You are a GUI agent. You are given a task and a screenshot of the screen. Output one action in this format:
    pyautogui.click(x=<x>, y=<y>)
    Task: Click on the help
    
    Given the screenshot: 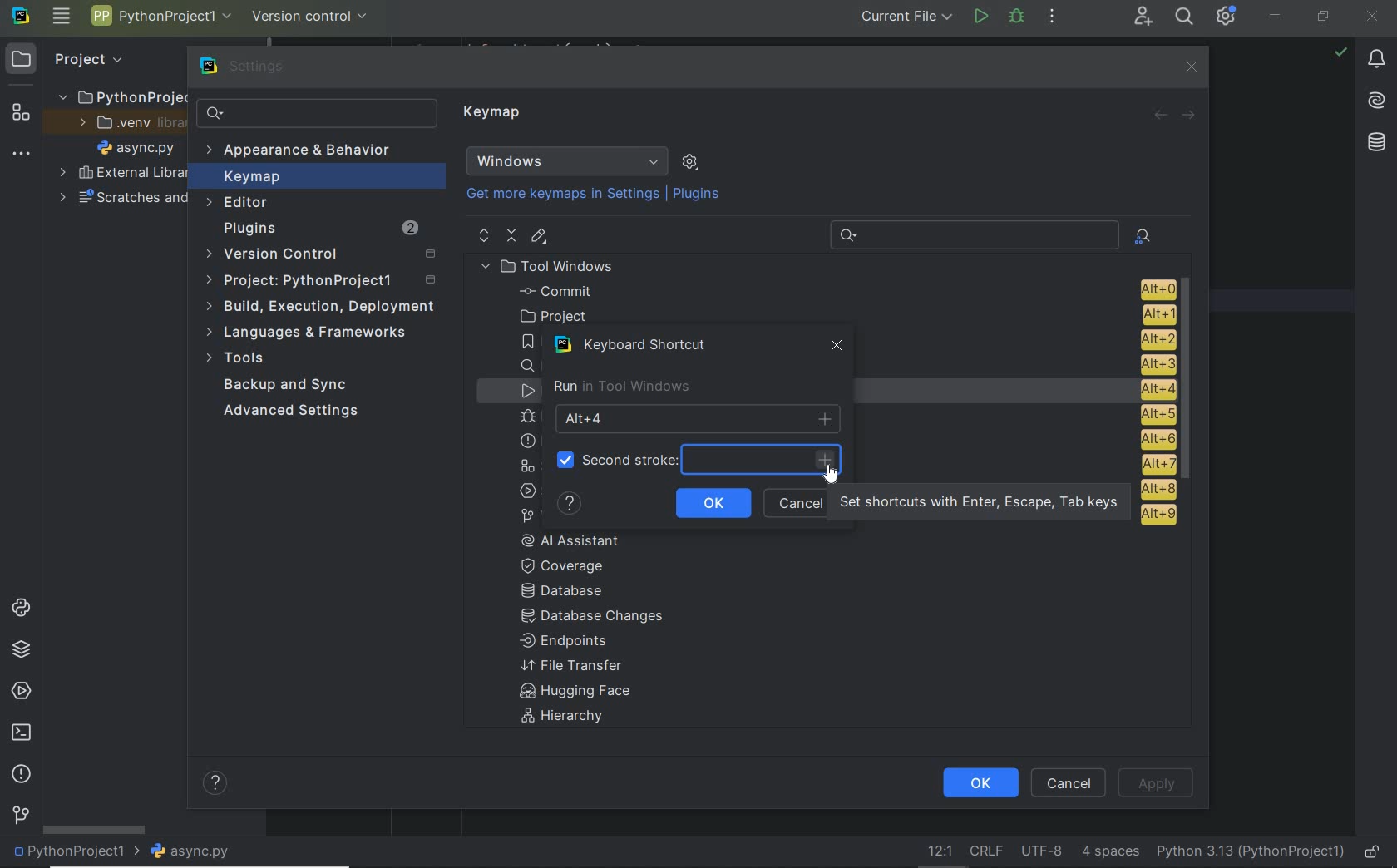 What is the action you would take?
    pyautogui.click(x=217, y=785)
    